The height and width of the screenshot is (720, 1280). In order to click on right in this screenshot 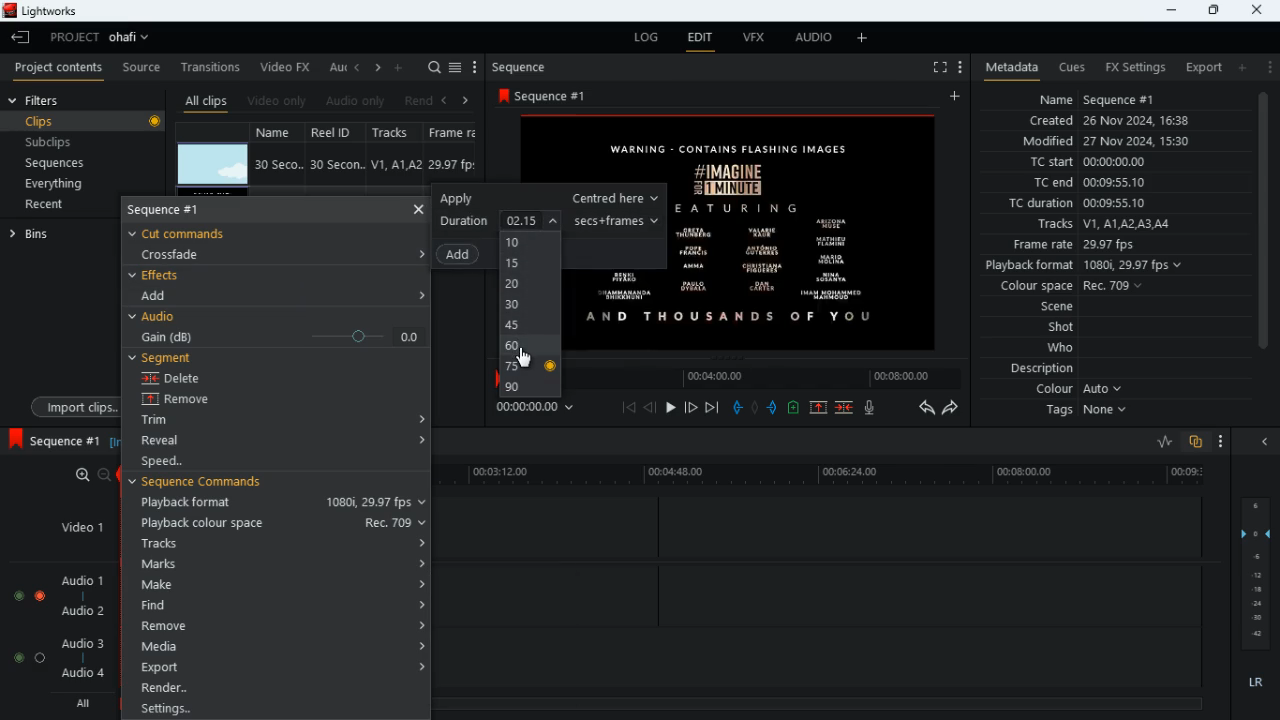, I will do `click(378, 69)`.